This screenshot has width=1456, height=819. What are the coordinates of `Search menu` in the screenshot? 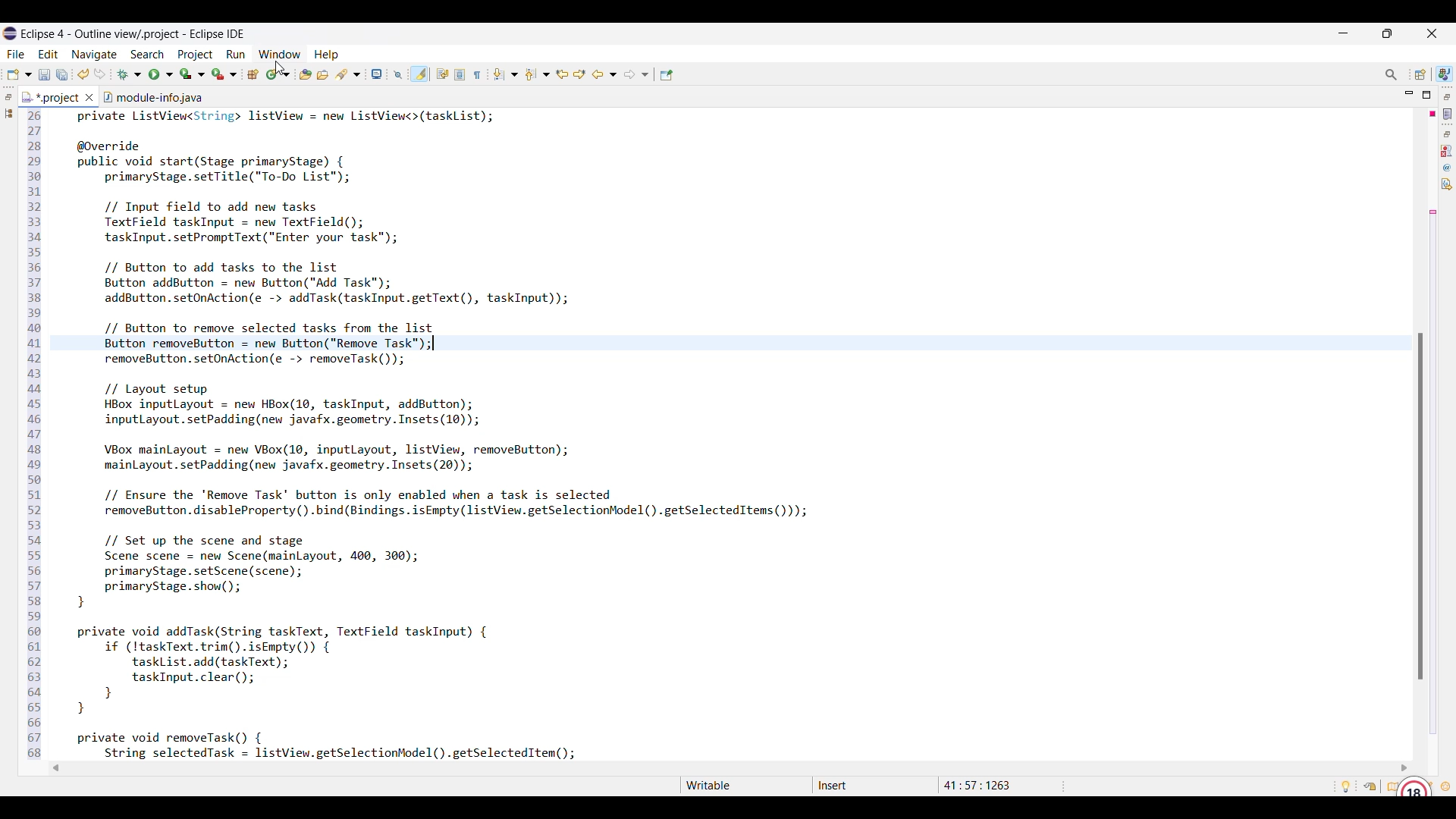 It's located at (148, 55).